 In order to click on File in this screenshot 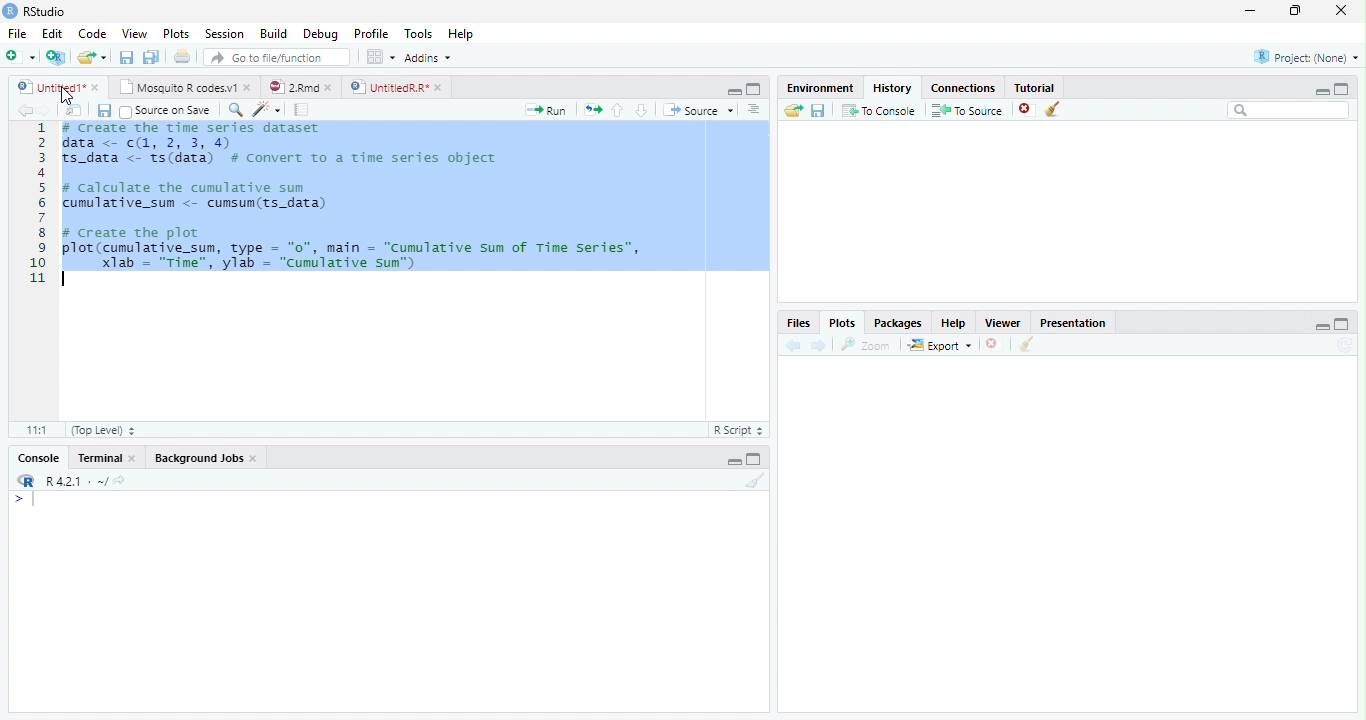, I will do `click(16, 34)`.